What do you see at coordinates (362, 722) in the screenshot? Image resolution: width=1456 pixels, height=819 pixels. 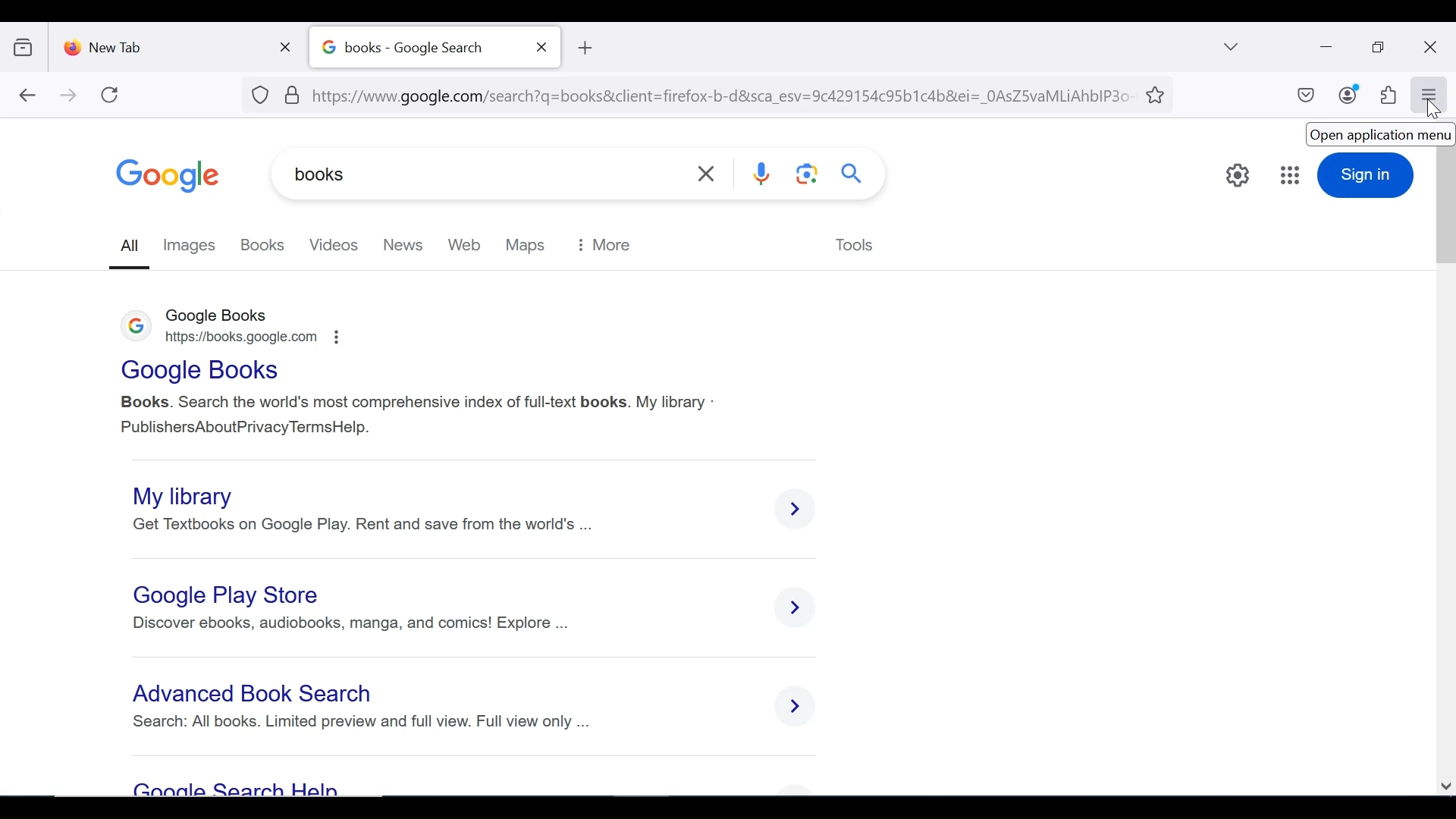 I see `search: all books. limited preview and full view. Full view only ...` at bounding box center [362, 722].